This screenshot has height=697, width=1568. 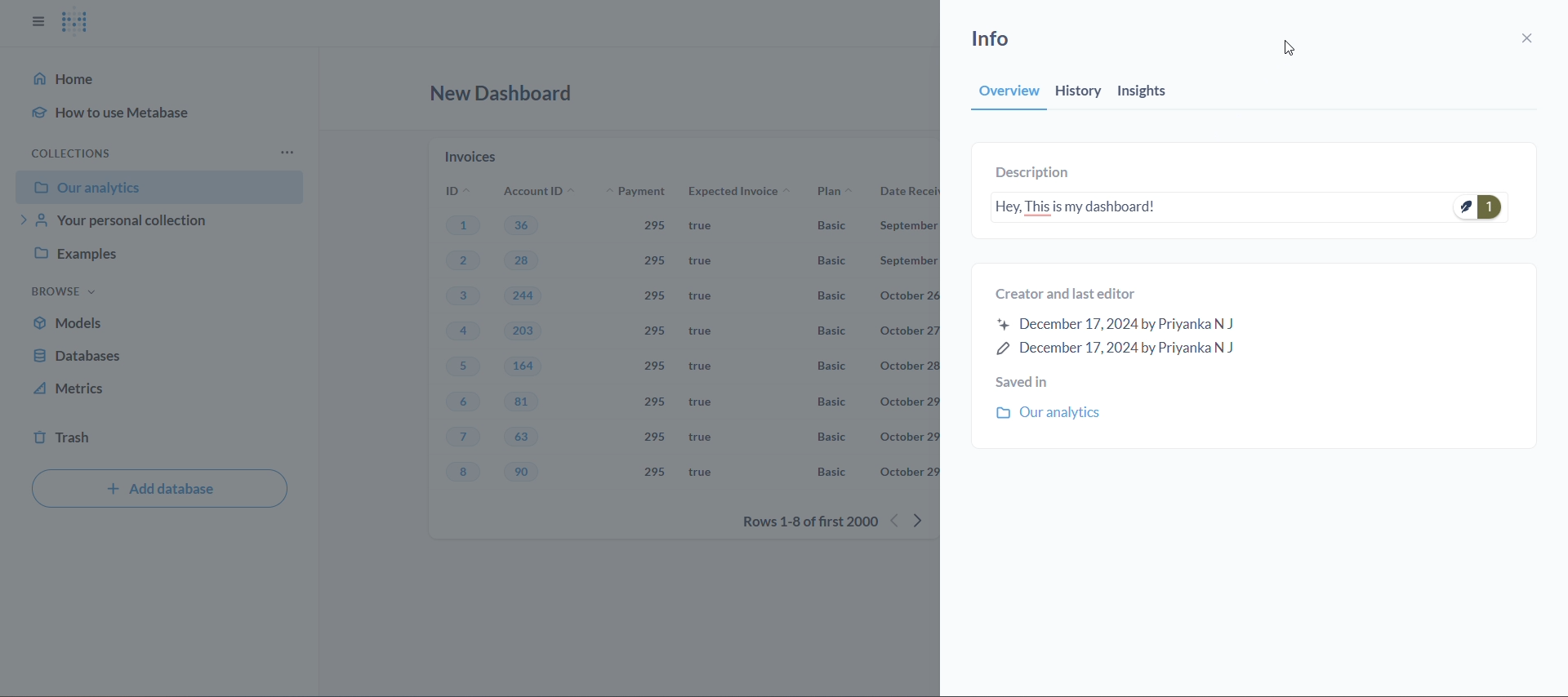 What do you see at coordinates (909, 228) in the screenshot?
I see `September` at bounding box center [909, 228].